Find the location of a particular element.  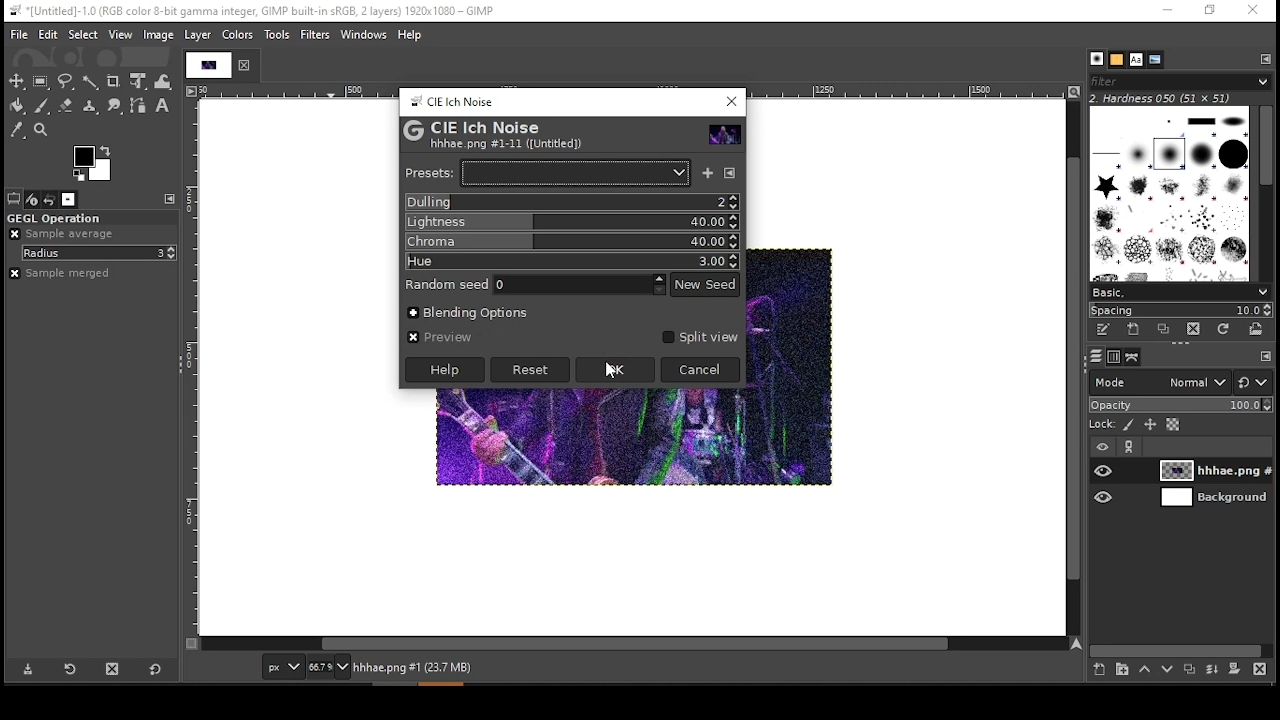

paint brush tool is located at coordinates (40, 104).